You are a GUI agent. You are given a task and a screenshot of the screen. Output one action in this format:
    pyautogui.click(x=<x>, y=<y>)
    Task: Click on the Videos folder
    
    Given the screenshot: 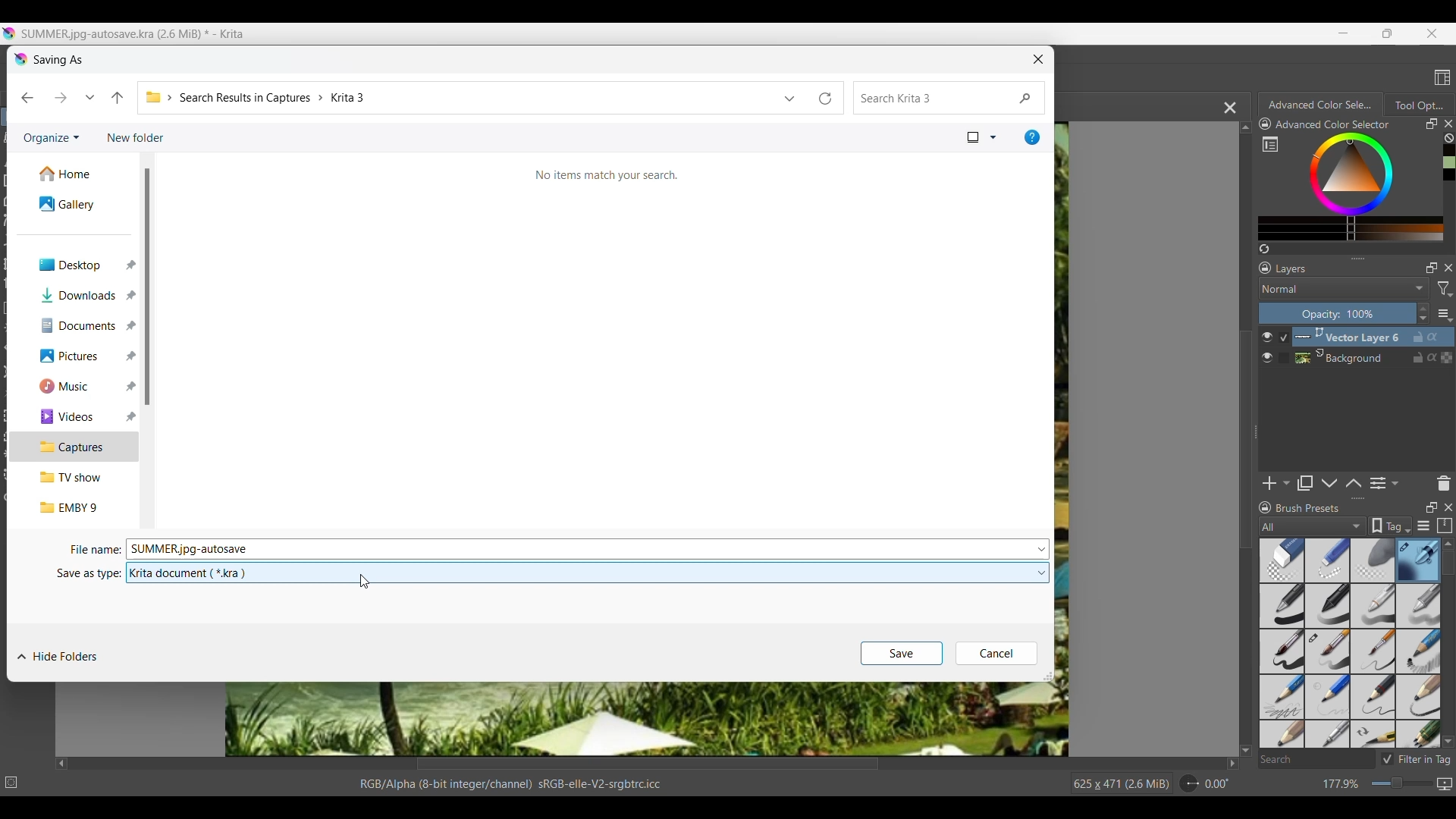 What is the action you would take?
    pyautogui.click(x=76, y=417)
    